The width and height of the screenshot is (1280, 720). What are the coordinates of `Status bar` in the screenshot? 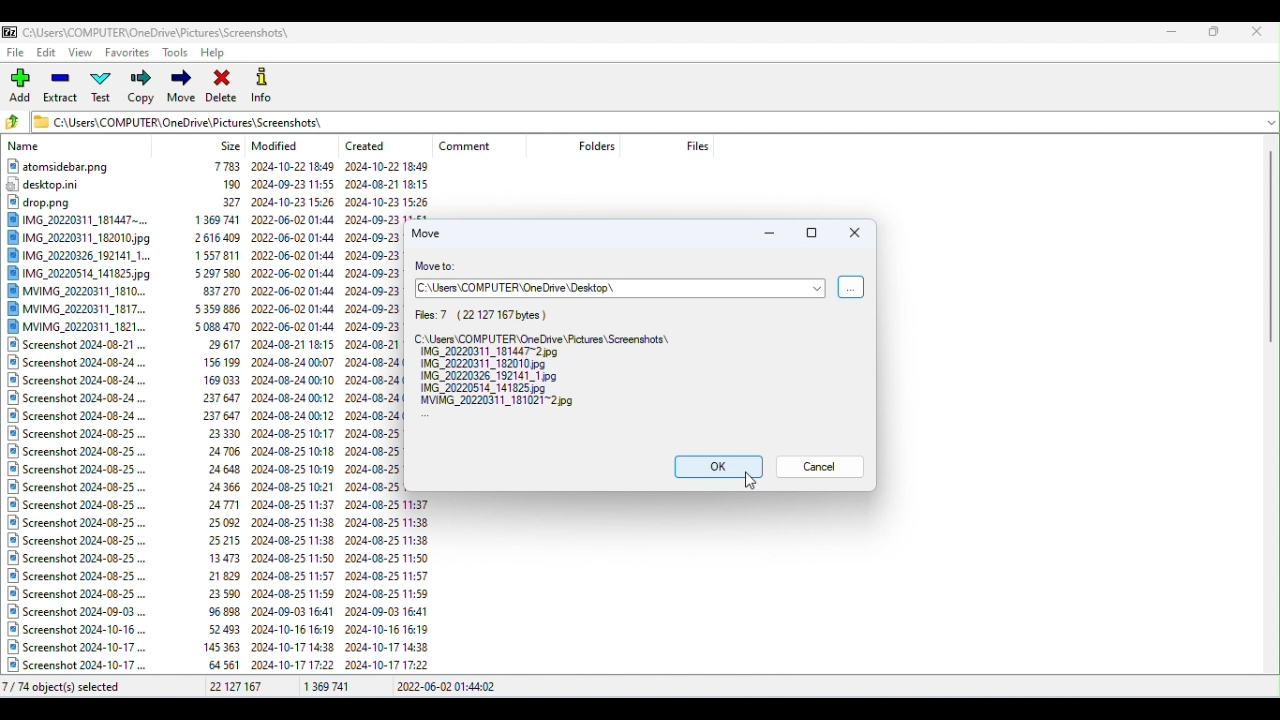 It's located at (638, 689).